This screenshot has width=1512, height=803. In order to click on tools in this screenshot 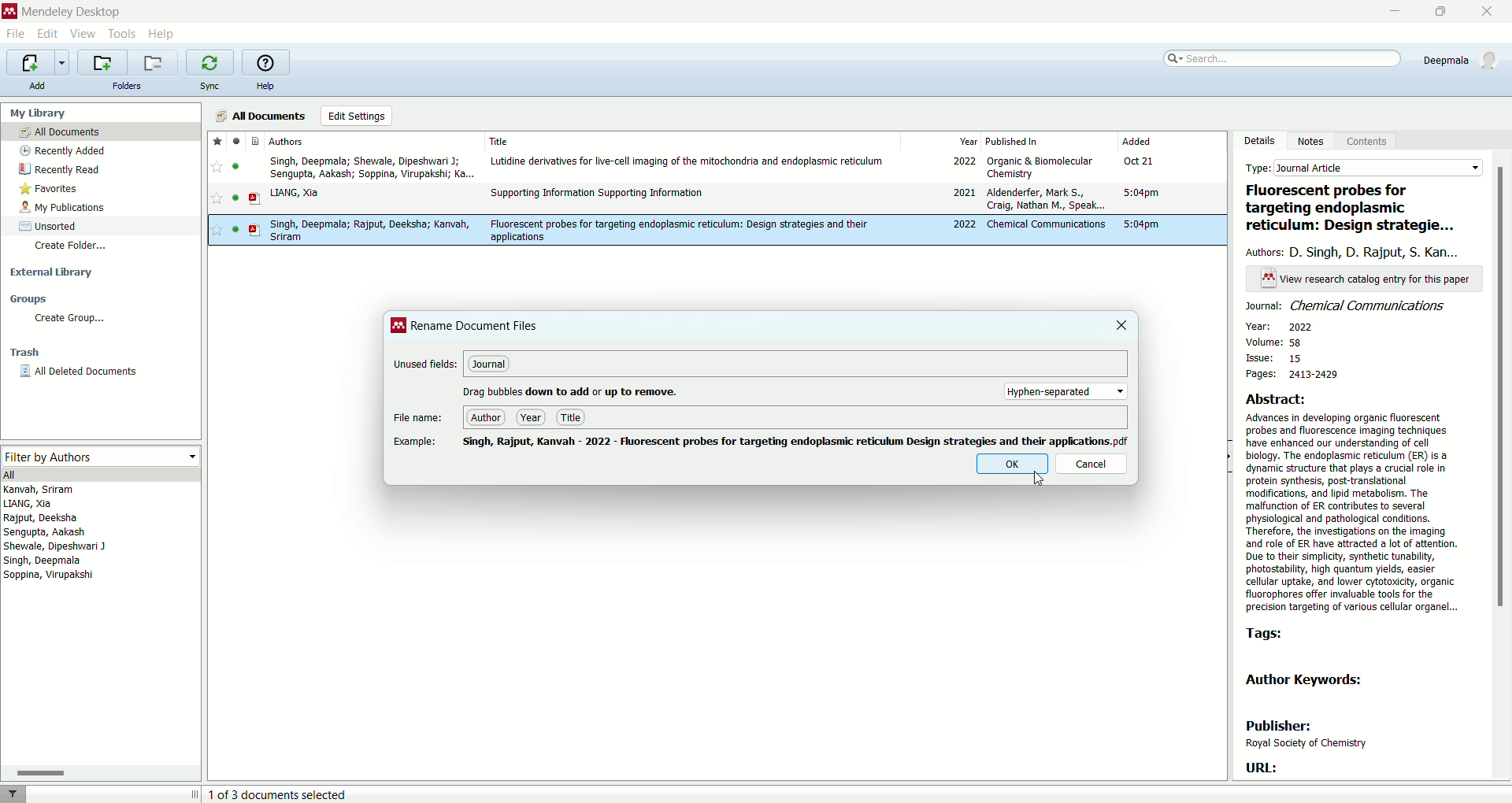, I will do `click(124, 35)`.